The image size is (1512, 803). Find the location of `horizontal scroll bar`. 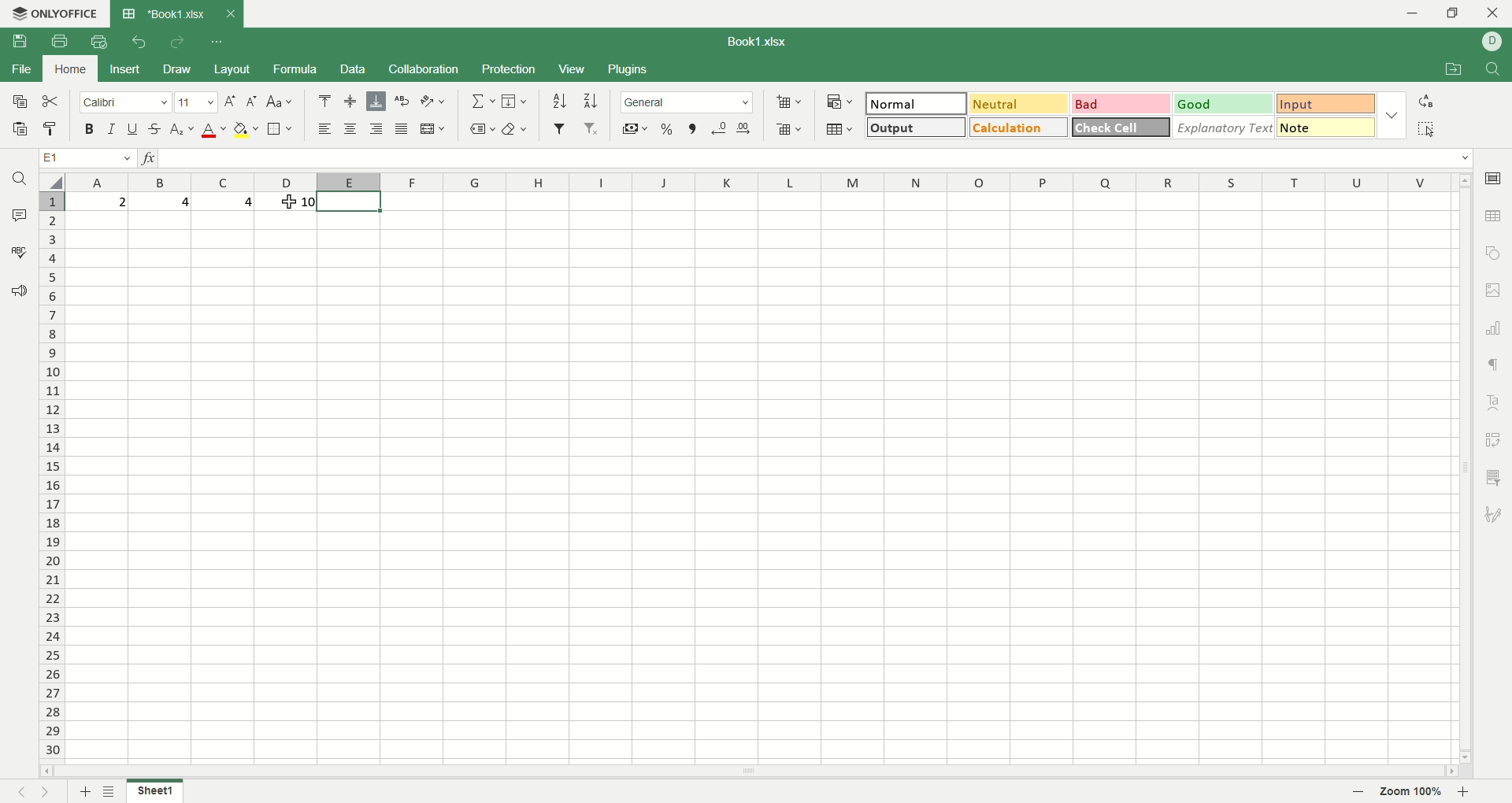

horizontal scroll bar is located at coordinates (750, 772).